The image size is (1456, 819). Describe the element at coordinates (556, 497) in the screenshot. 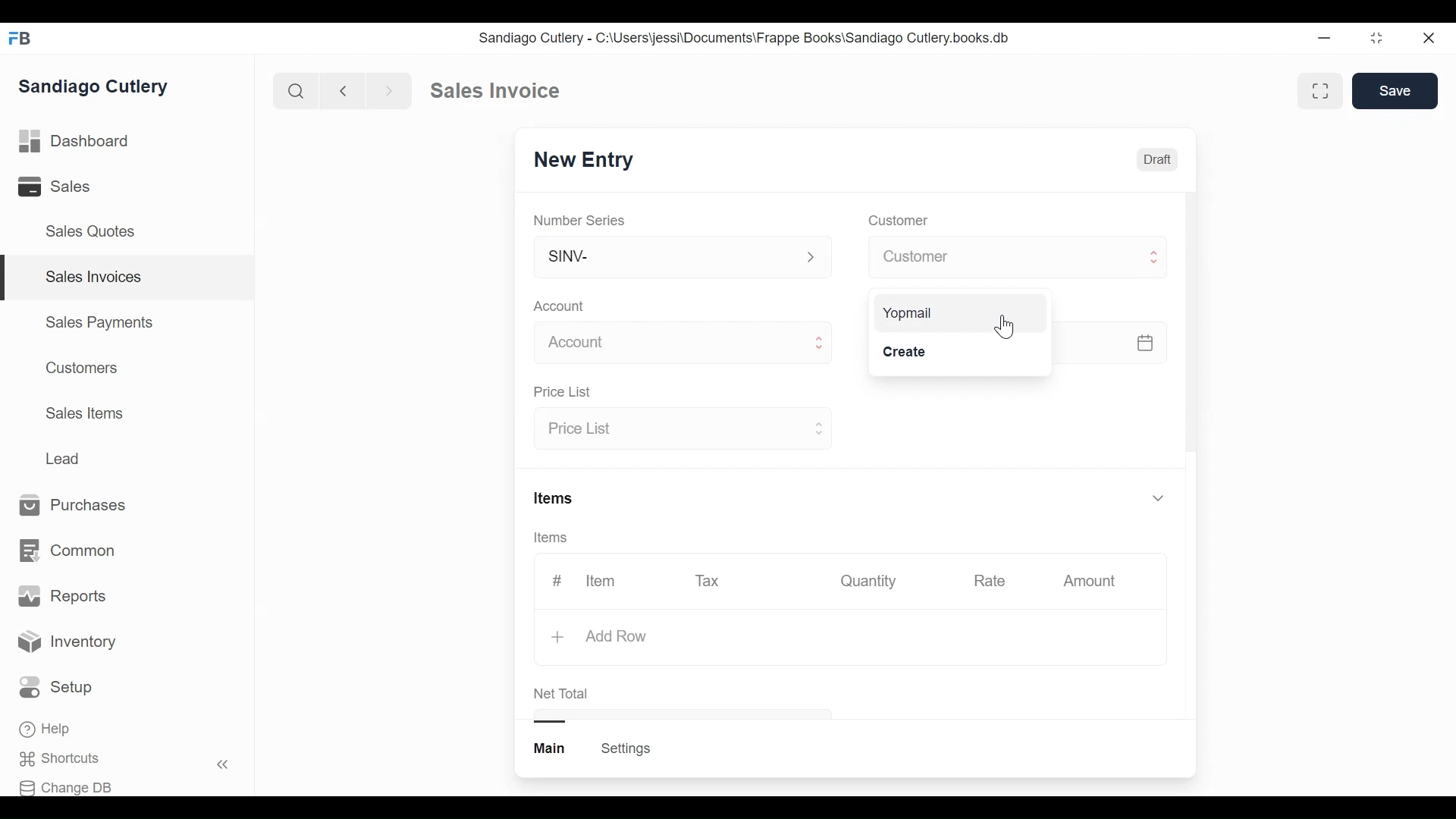

I see `Items` at that location.